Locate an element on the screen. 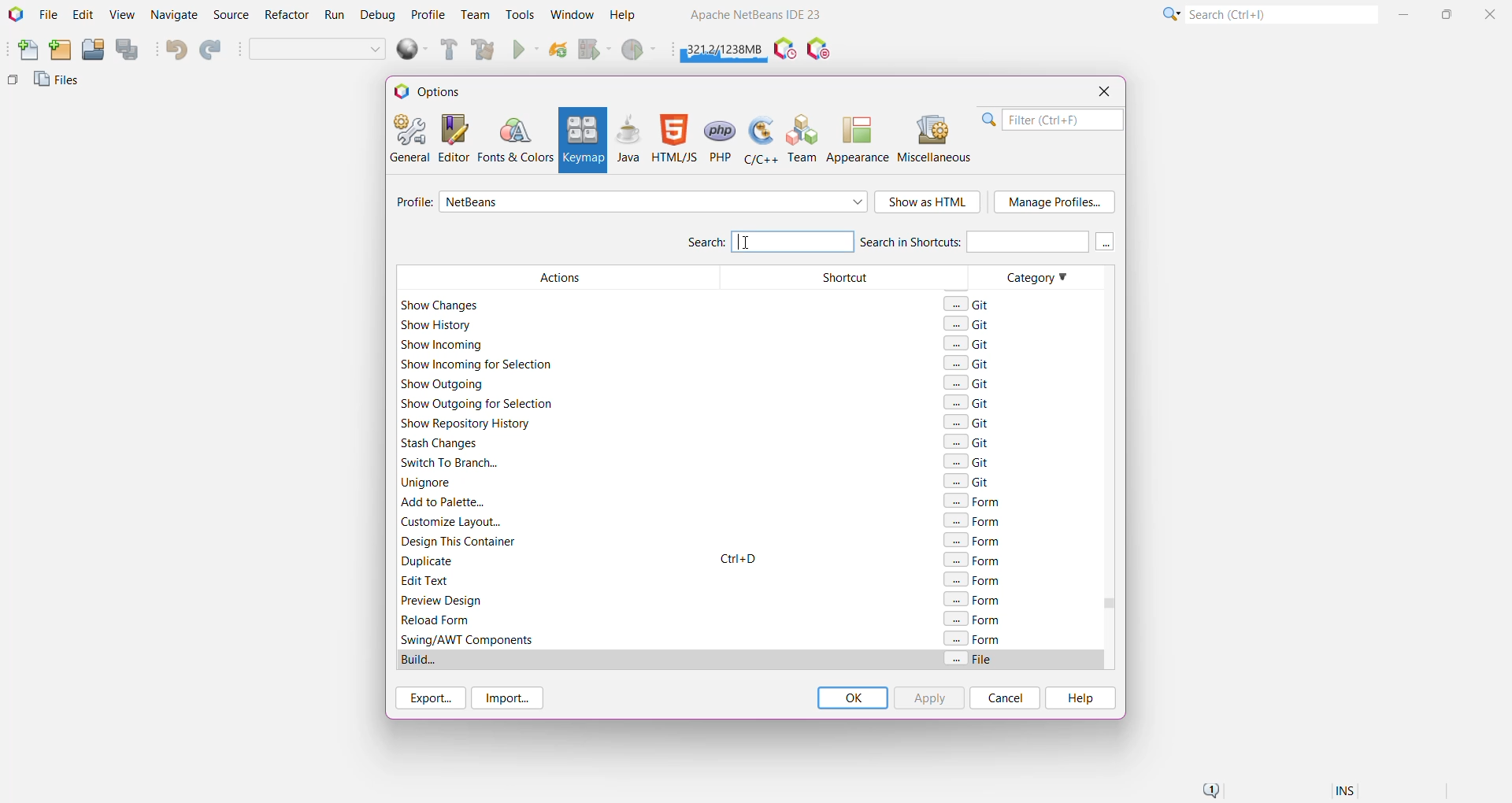 This screenshot has width=1512, height=803. Refactor is located at coordinates (288, 17).